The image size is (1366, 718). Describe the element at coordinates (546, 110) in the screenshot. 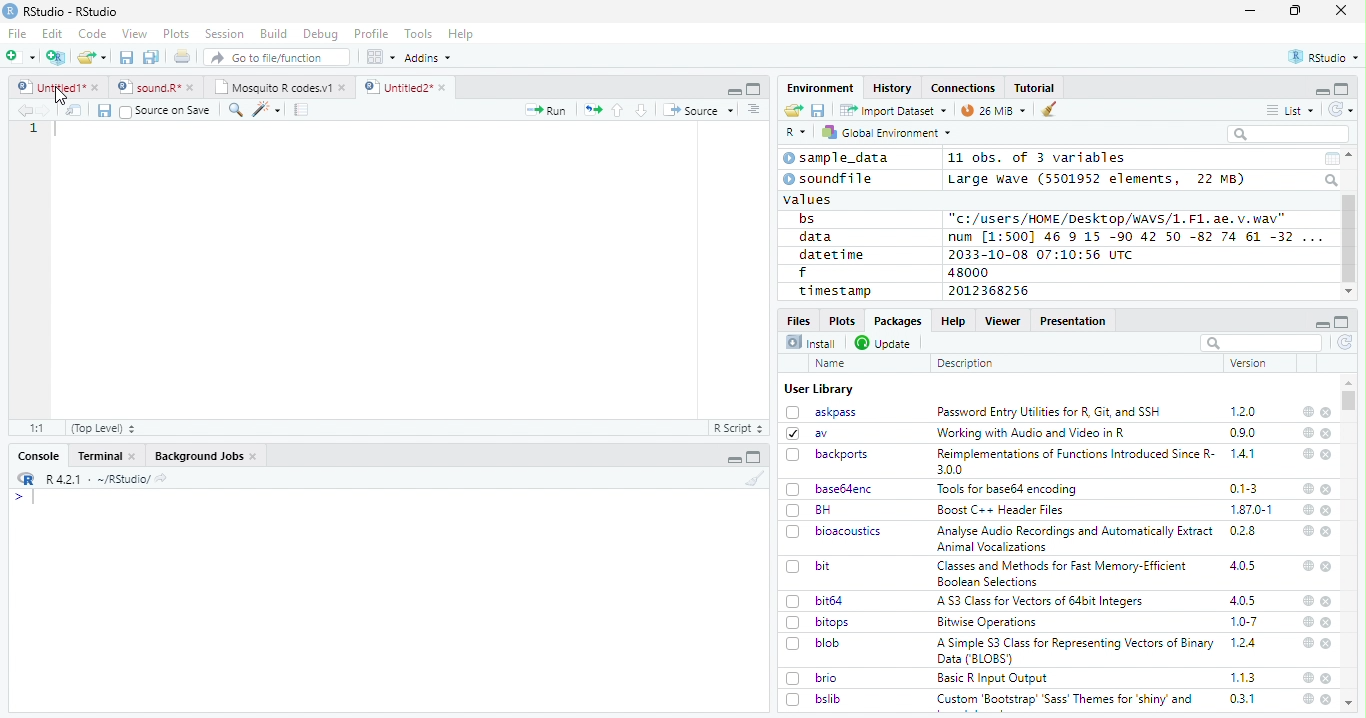

I see `Run the current line` at that location.